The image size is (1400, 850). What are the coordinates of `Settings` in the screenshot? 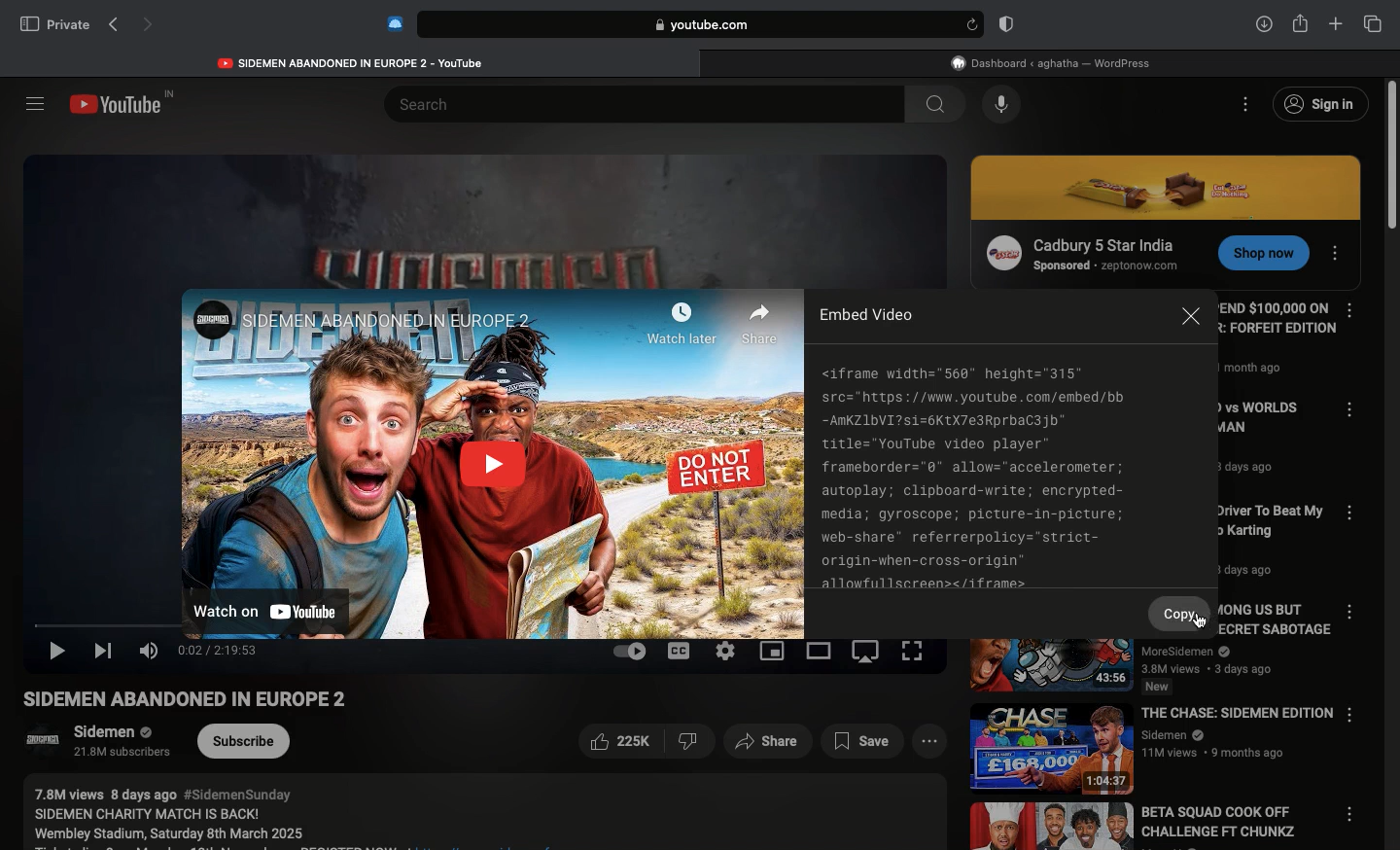 It's located at (725, 651).